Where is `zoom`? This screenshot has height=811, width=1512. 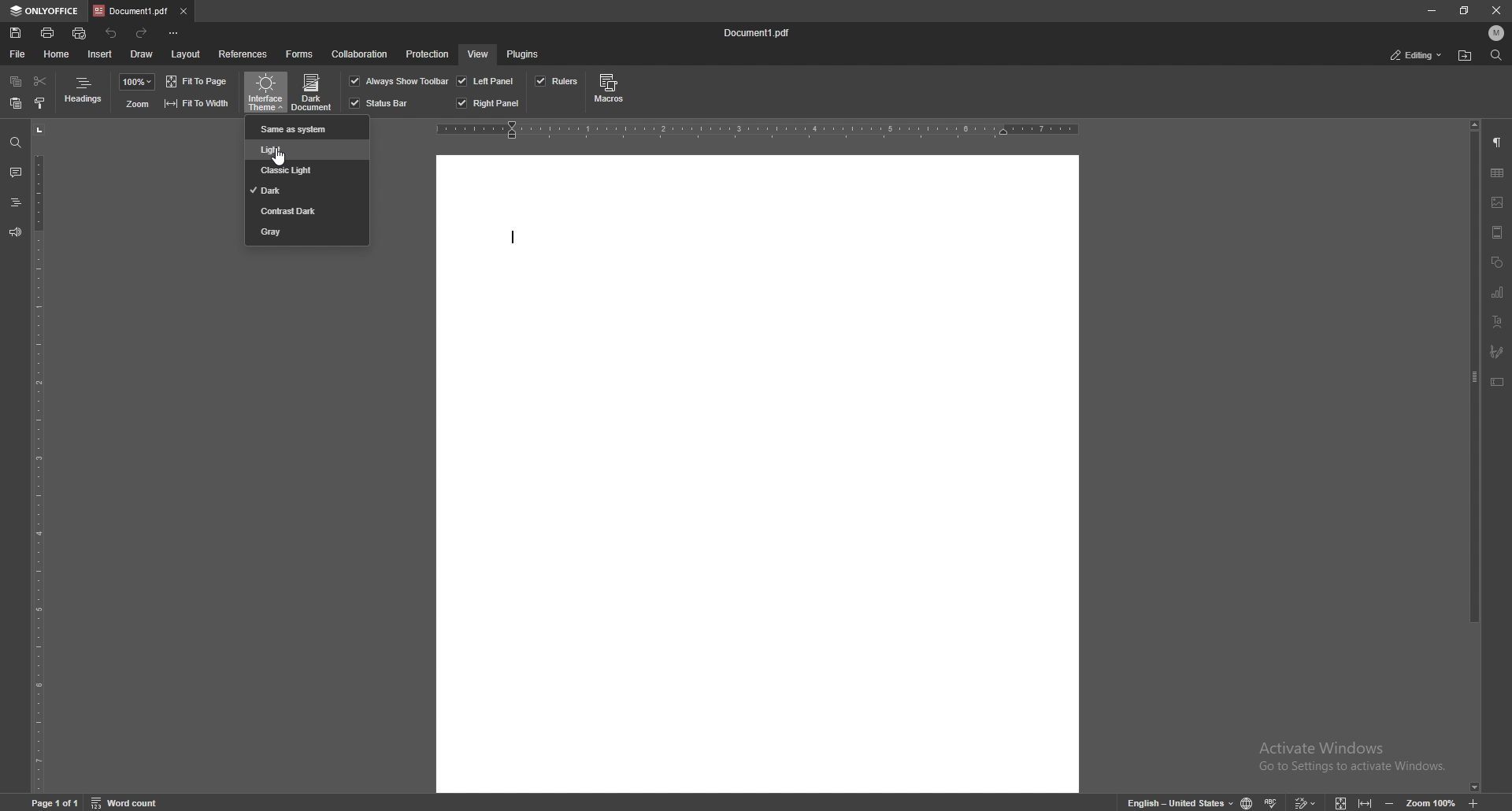 zoom is located at coordinates (1433, 803).